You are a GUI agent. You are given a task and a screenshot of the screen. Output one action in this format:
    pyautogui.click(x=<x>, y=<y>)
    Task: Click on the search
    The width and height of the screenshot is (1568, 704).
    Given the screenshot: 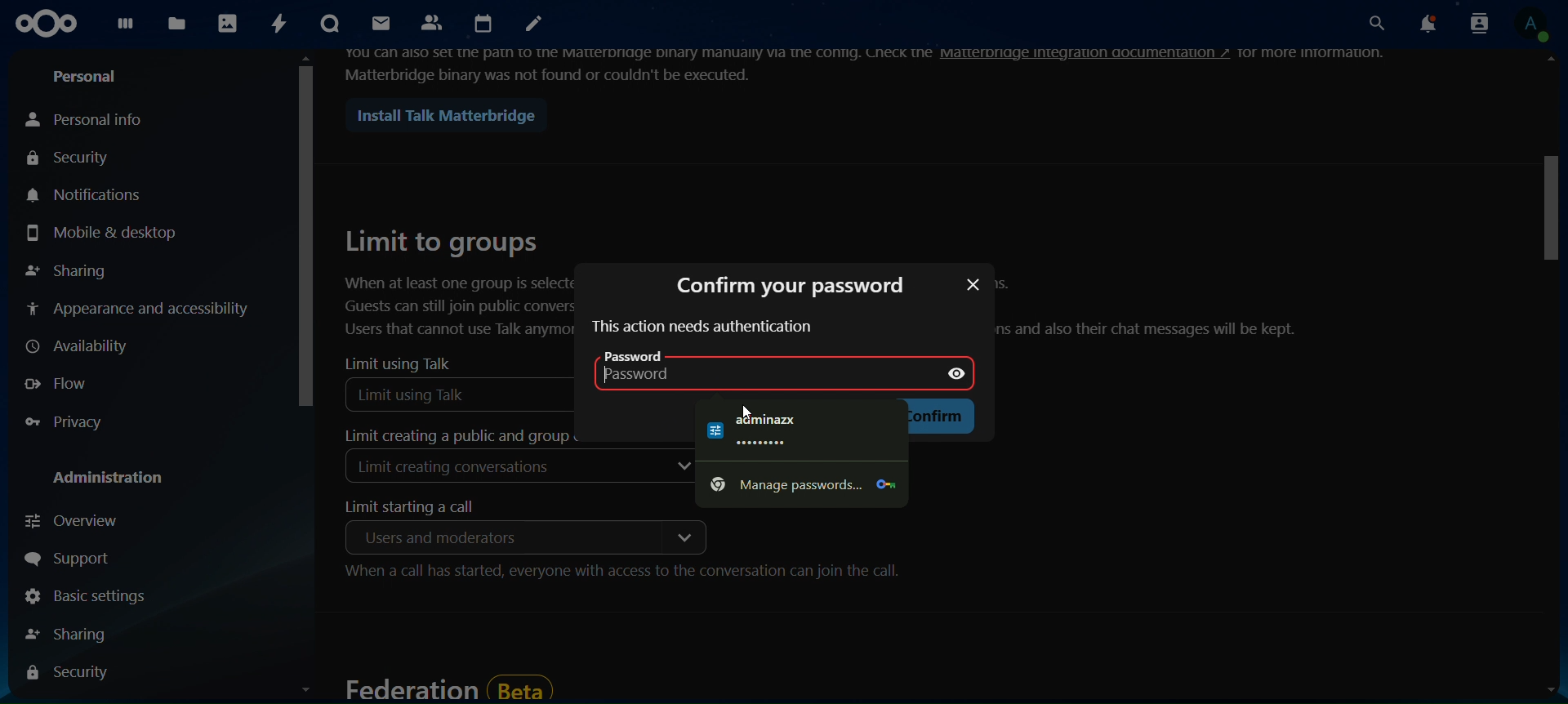 What is the action you would take?
    pyautogui.click(x=1373, y=25)
    